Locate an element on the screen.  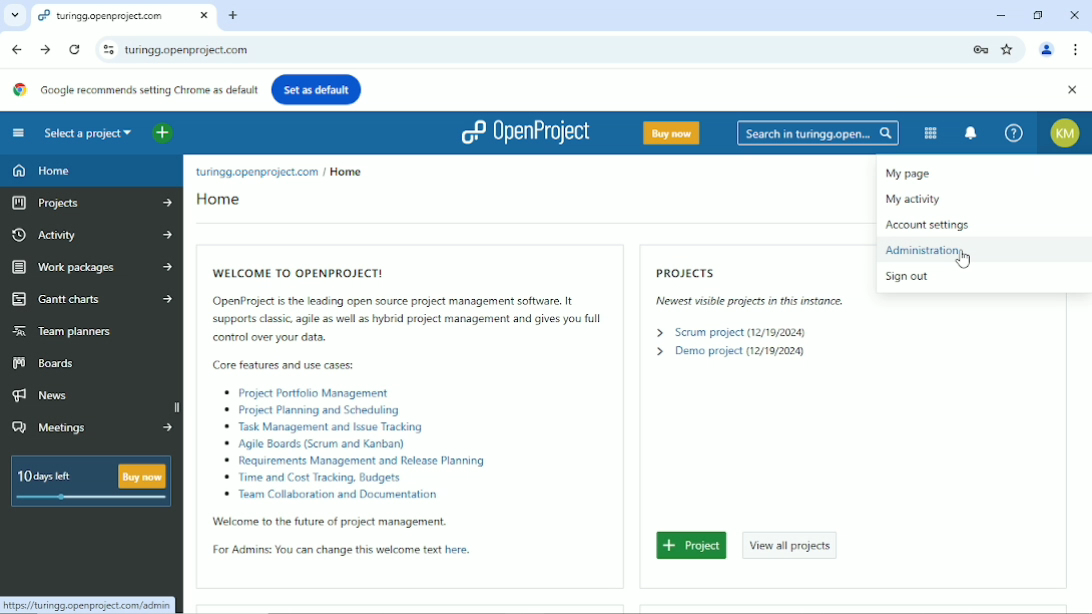
Close is located at coordinates (1074, 13).